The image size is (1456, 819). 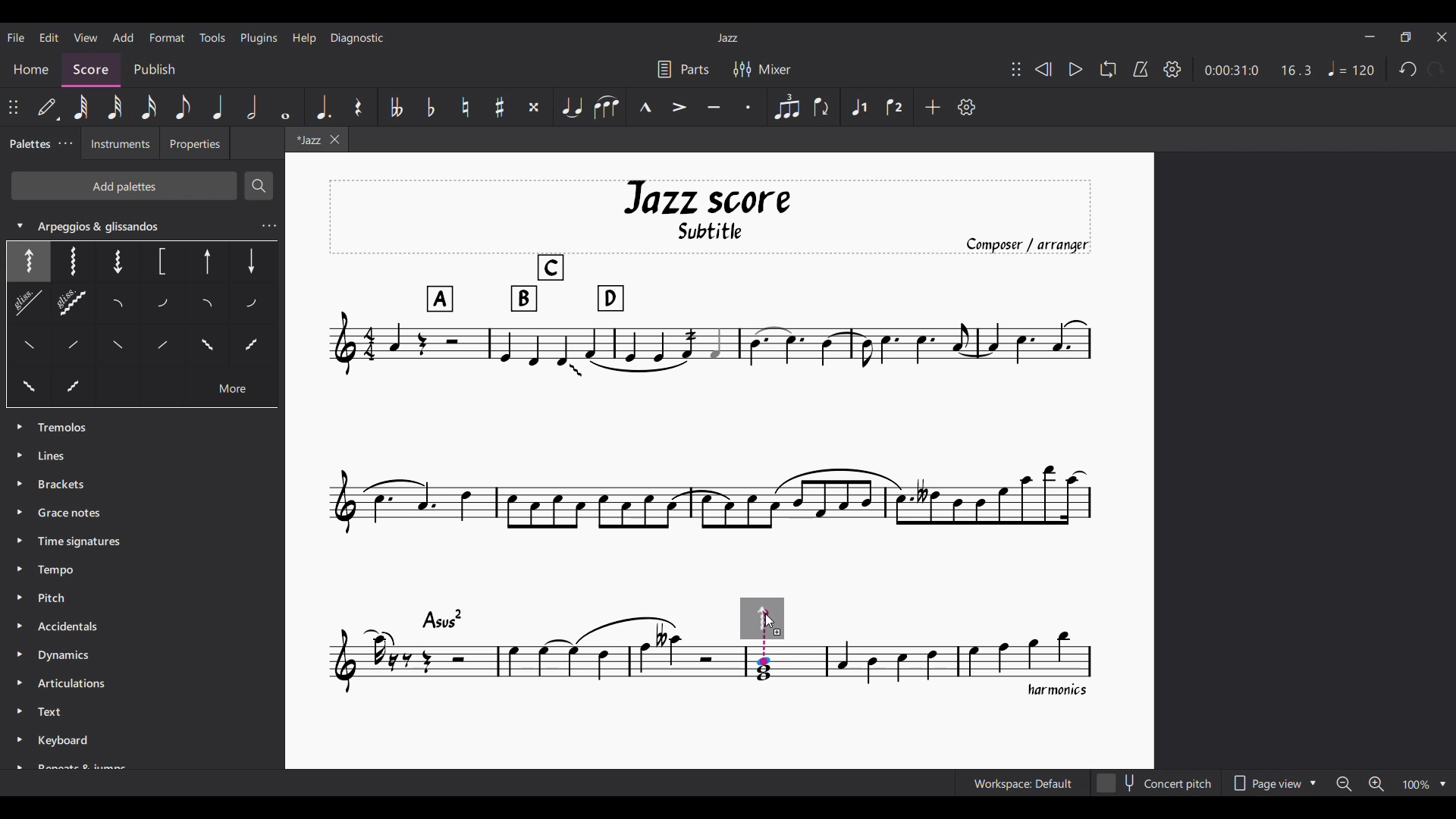 I want to click on , so click(x=205, y=306).